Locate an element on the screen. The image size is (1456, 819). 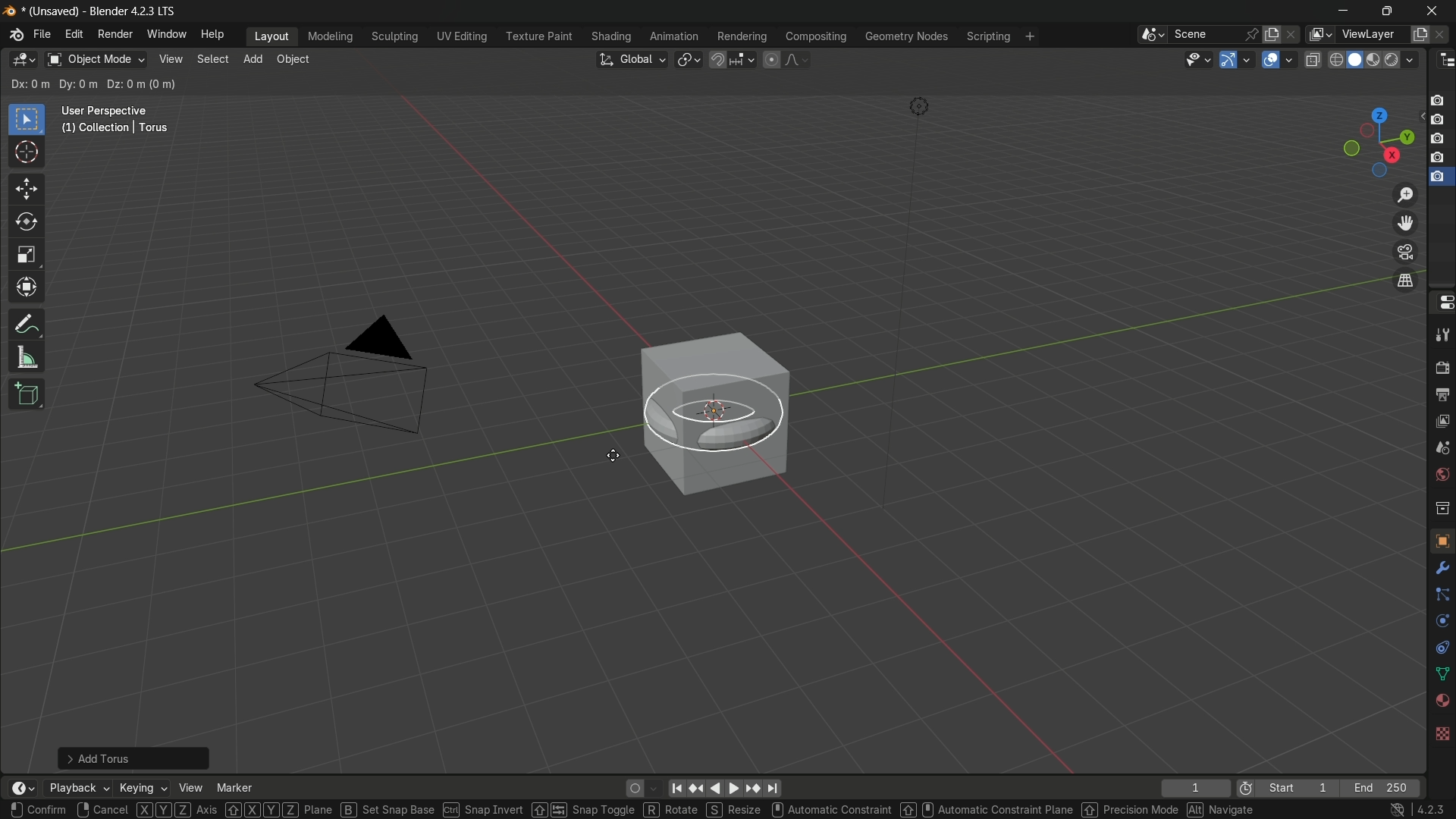
Start 1 is located at coordinates (1302, 789).